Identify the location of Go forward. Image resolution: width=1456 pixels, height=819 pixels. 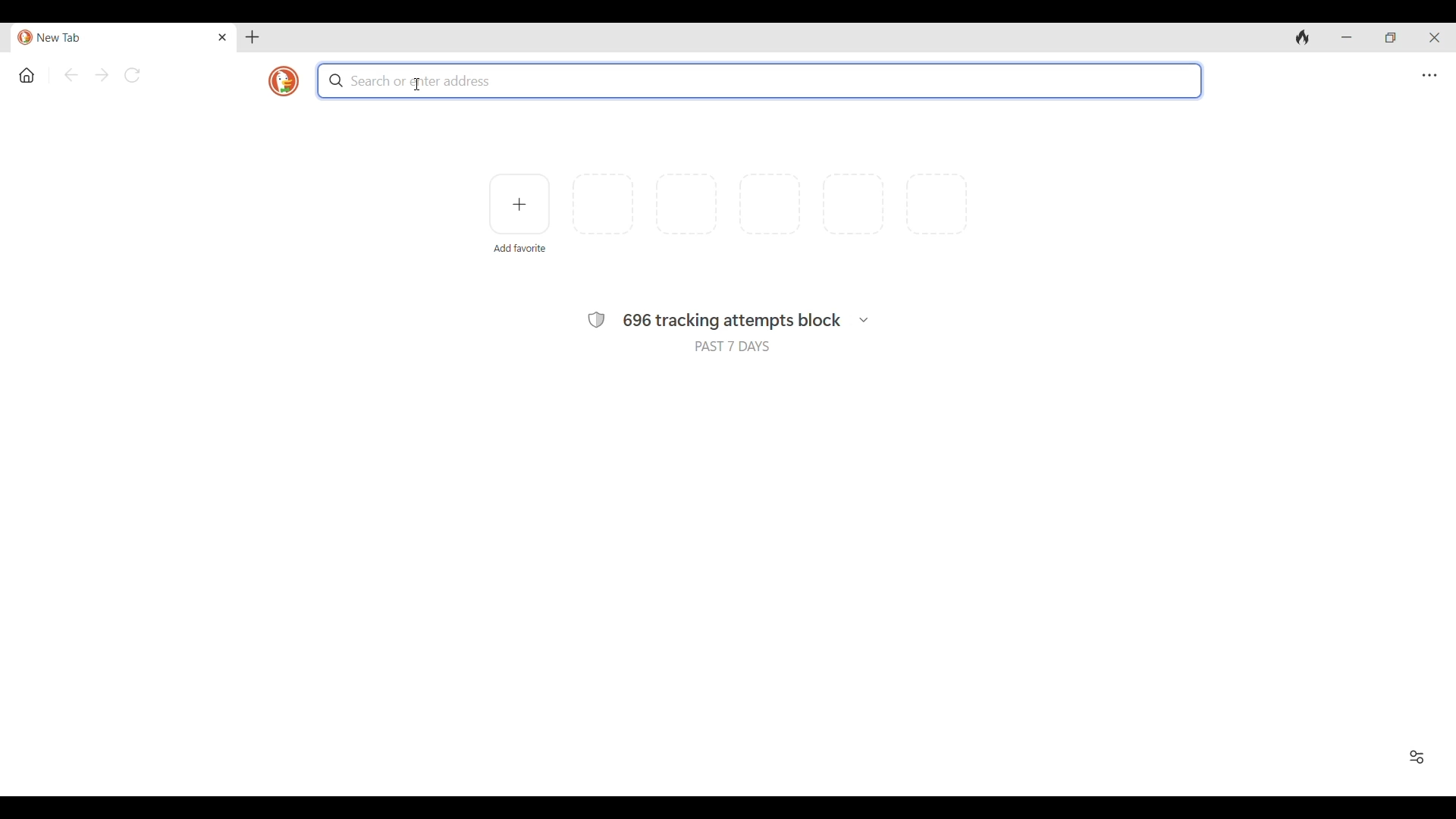
(102, 75).